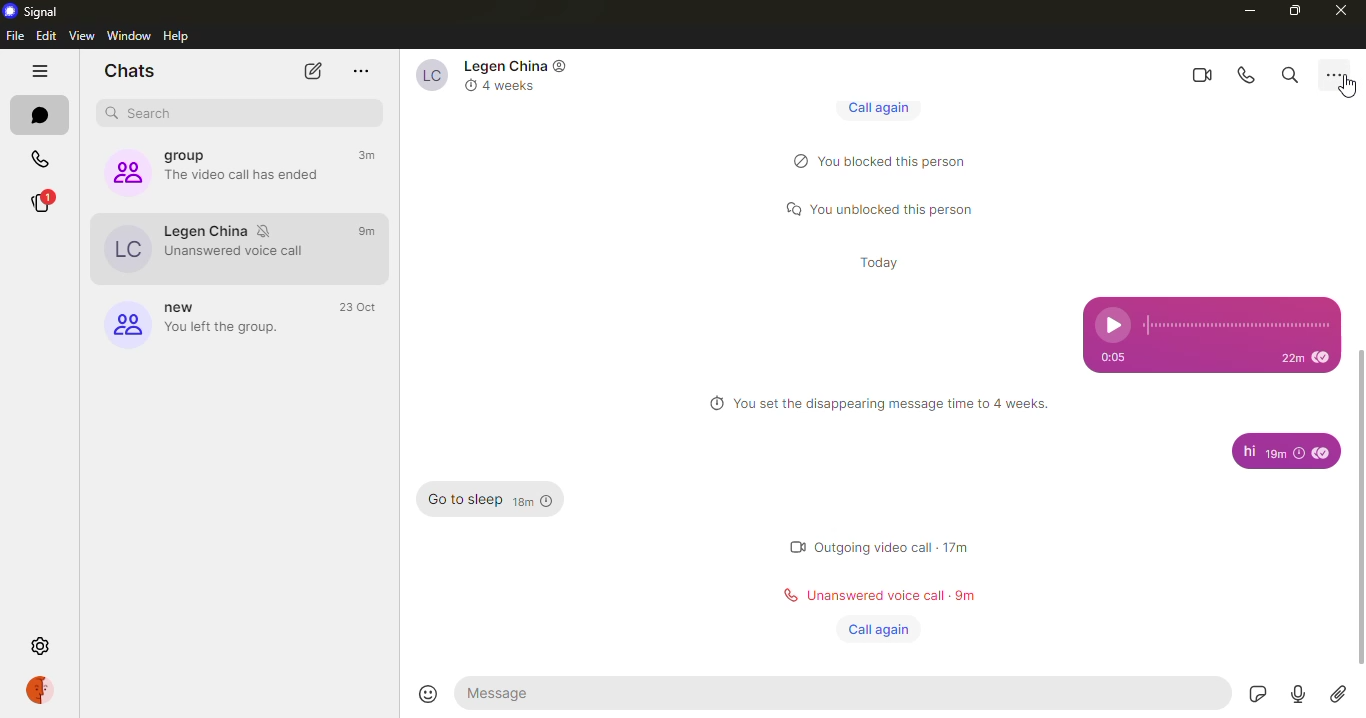 The height and width of the screenshot is (718, 1366). Describe the element at coordinates (34, 160) in the screenshot. I see `calls` at that location.